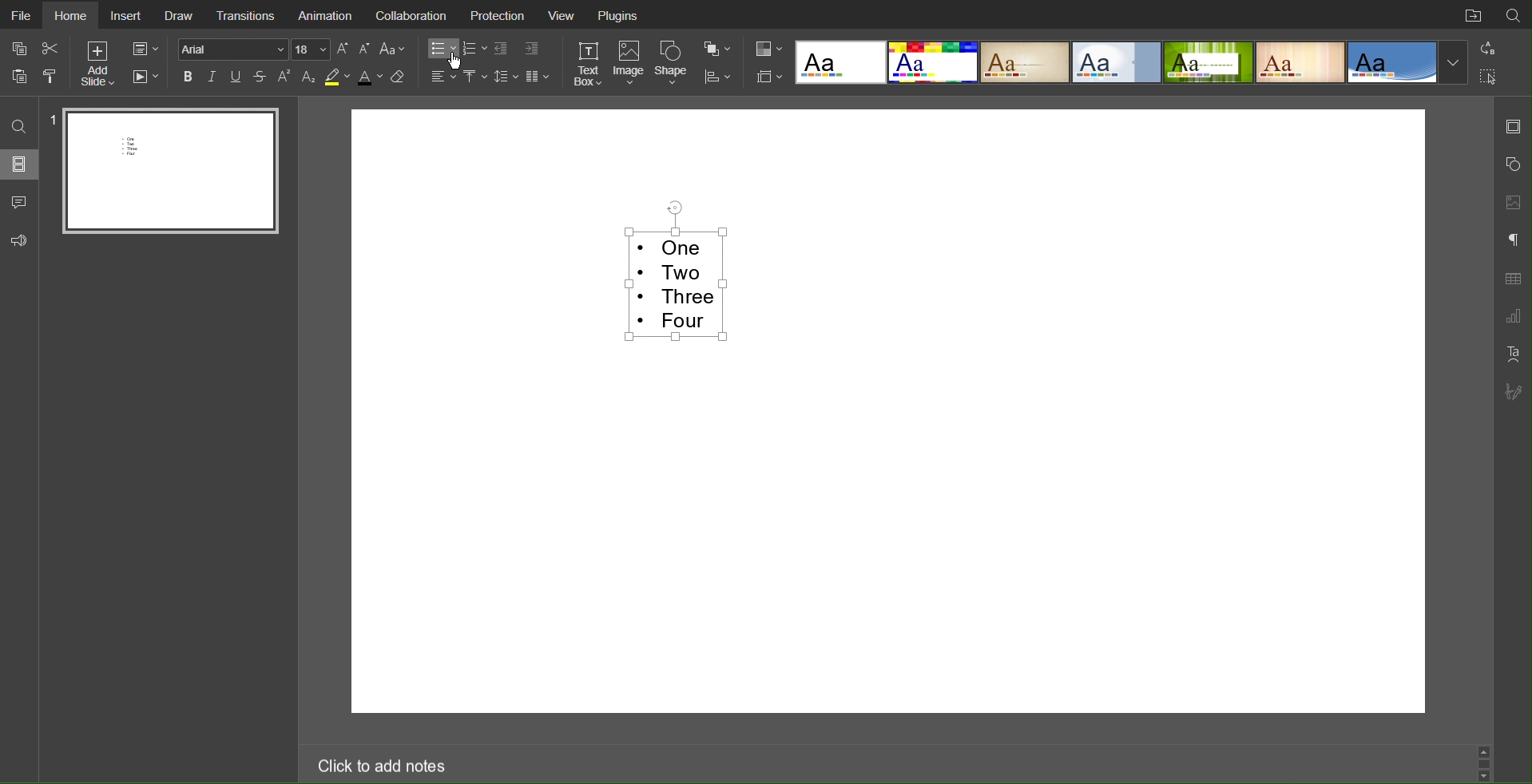  Describe the element at coordinates (145, 78) in the screenshot. I see `Playback Settings` at that location.